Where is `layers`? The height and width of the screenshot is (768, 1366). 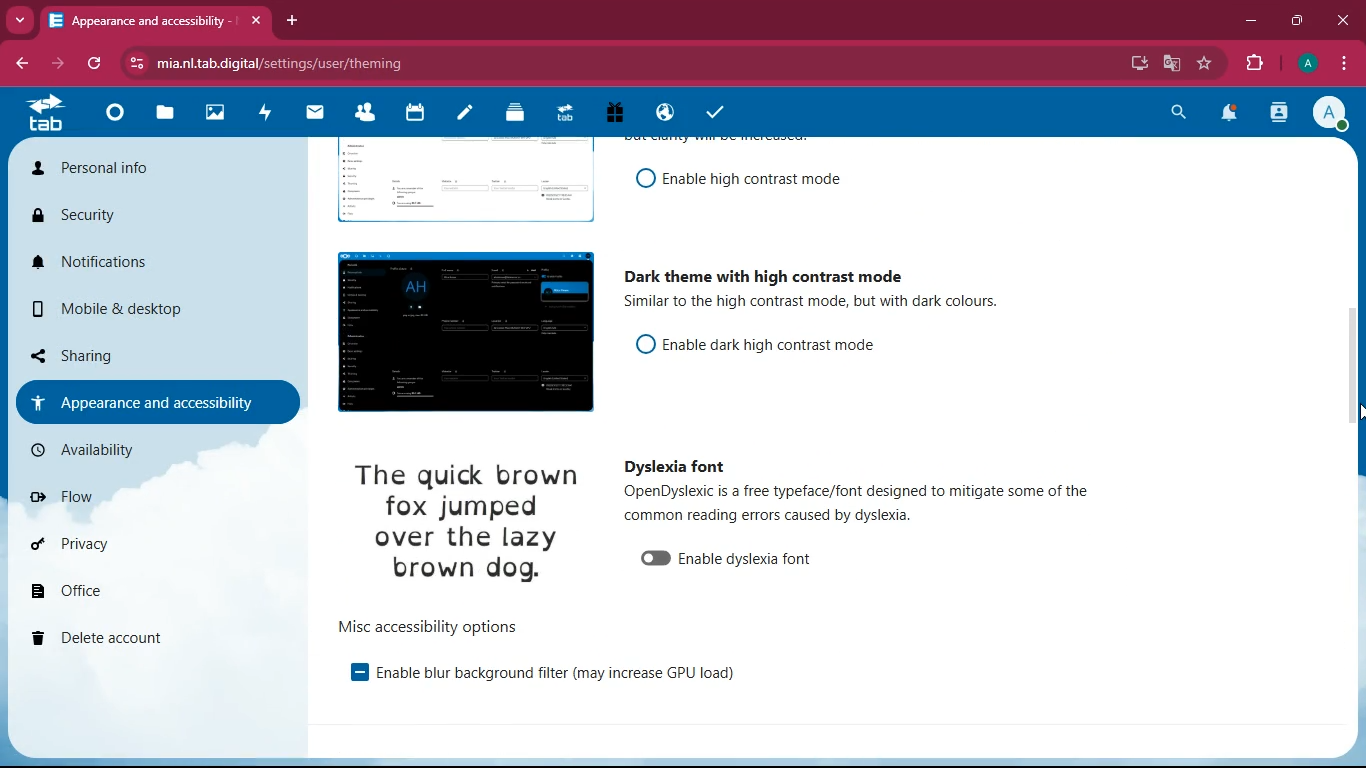 layers is located at coordinates (522, 116).